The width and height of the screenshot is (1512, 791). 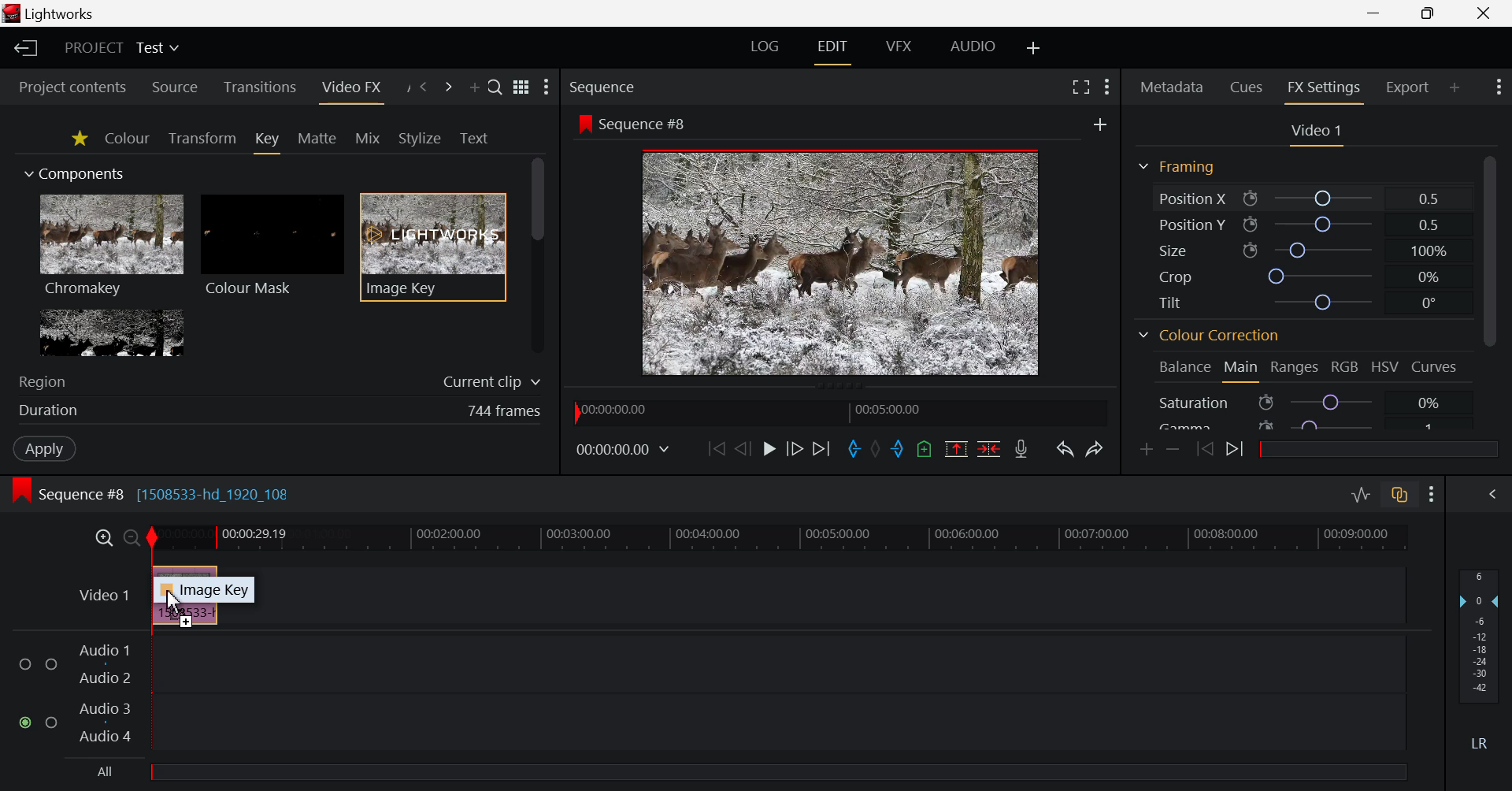 I want to click on icon, so click(x=1251, y=251).